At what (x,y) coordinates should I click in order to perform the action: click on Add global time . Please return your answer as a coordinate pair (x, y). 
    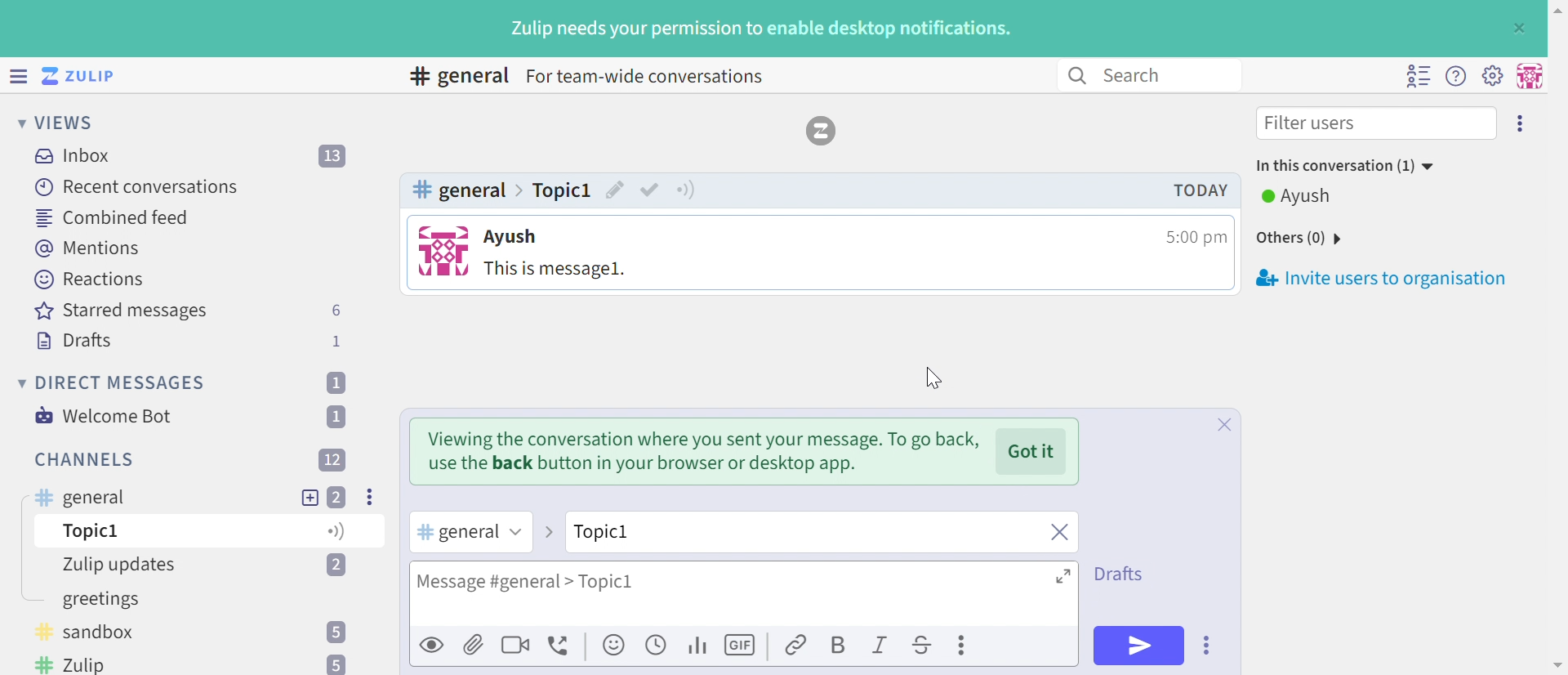
    Looking at the image, I should click on (659, 644).